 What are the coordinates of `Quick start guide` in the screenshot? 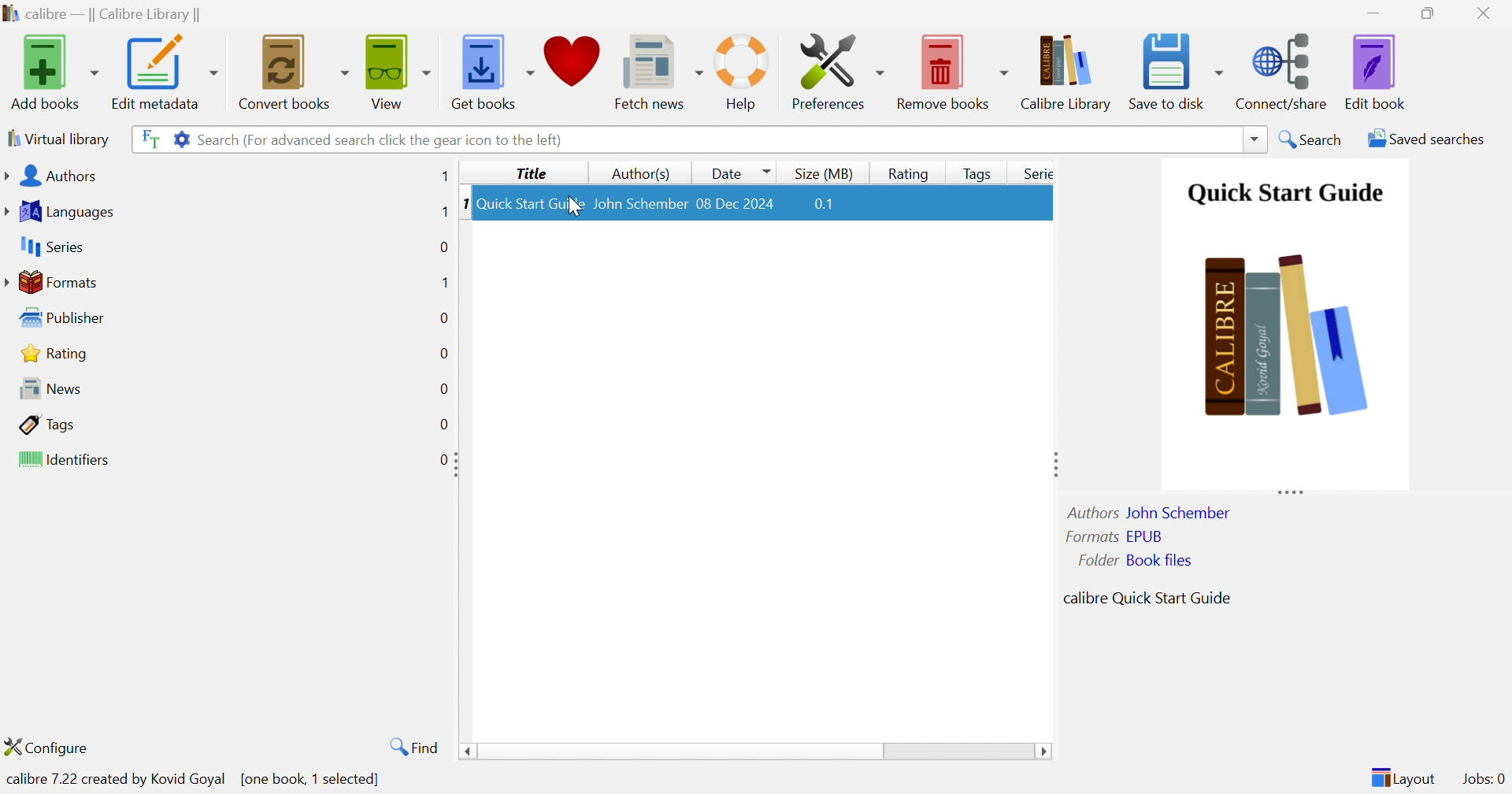 It's located at (1284, 194).